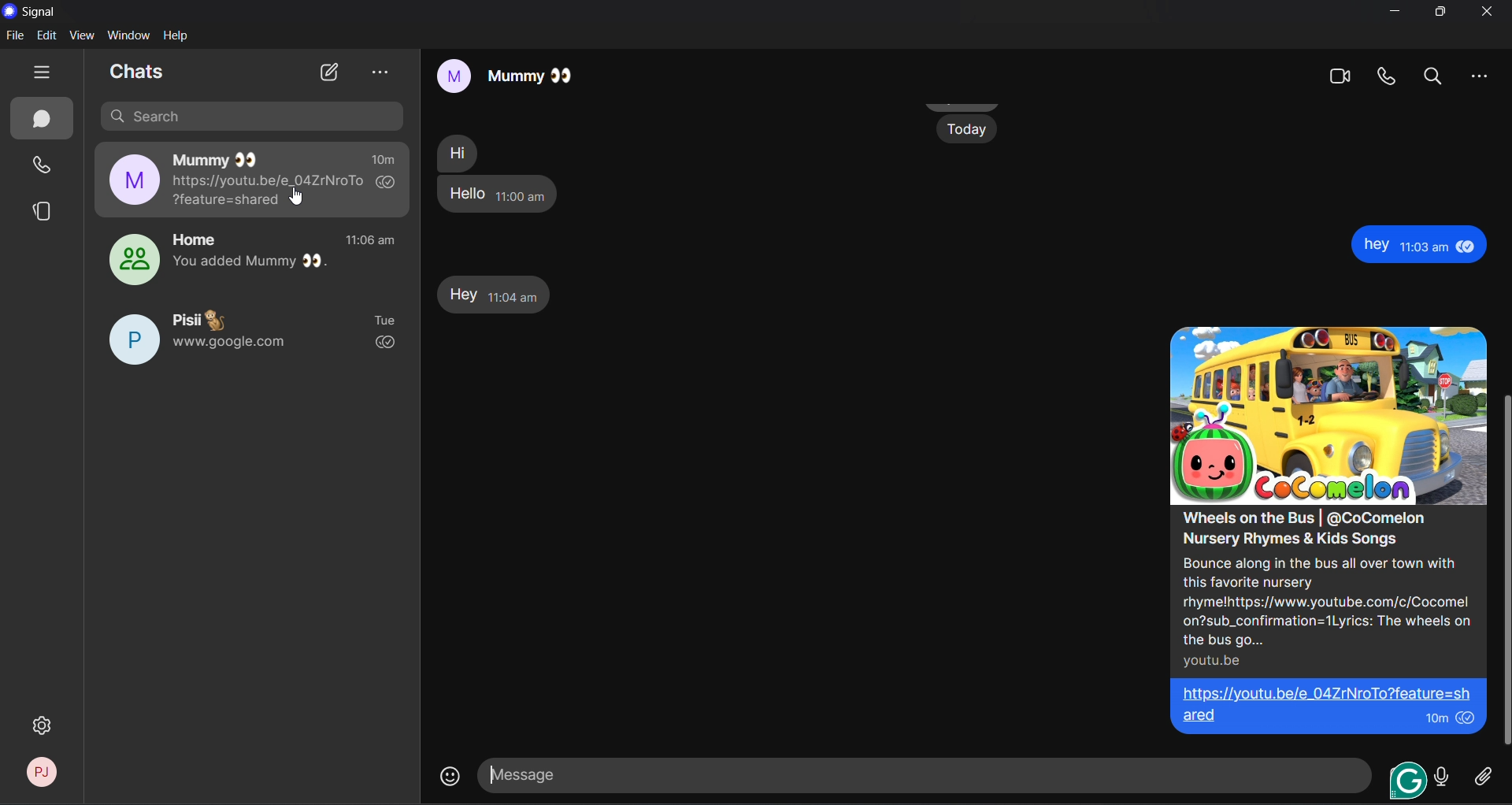 This screenshot has width=1512, height=805. I want to click on message, so click(926, 776).